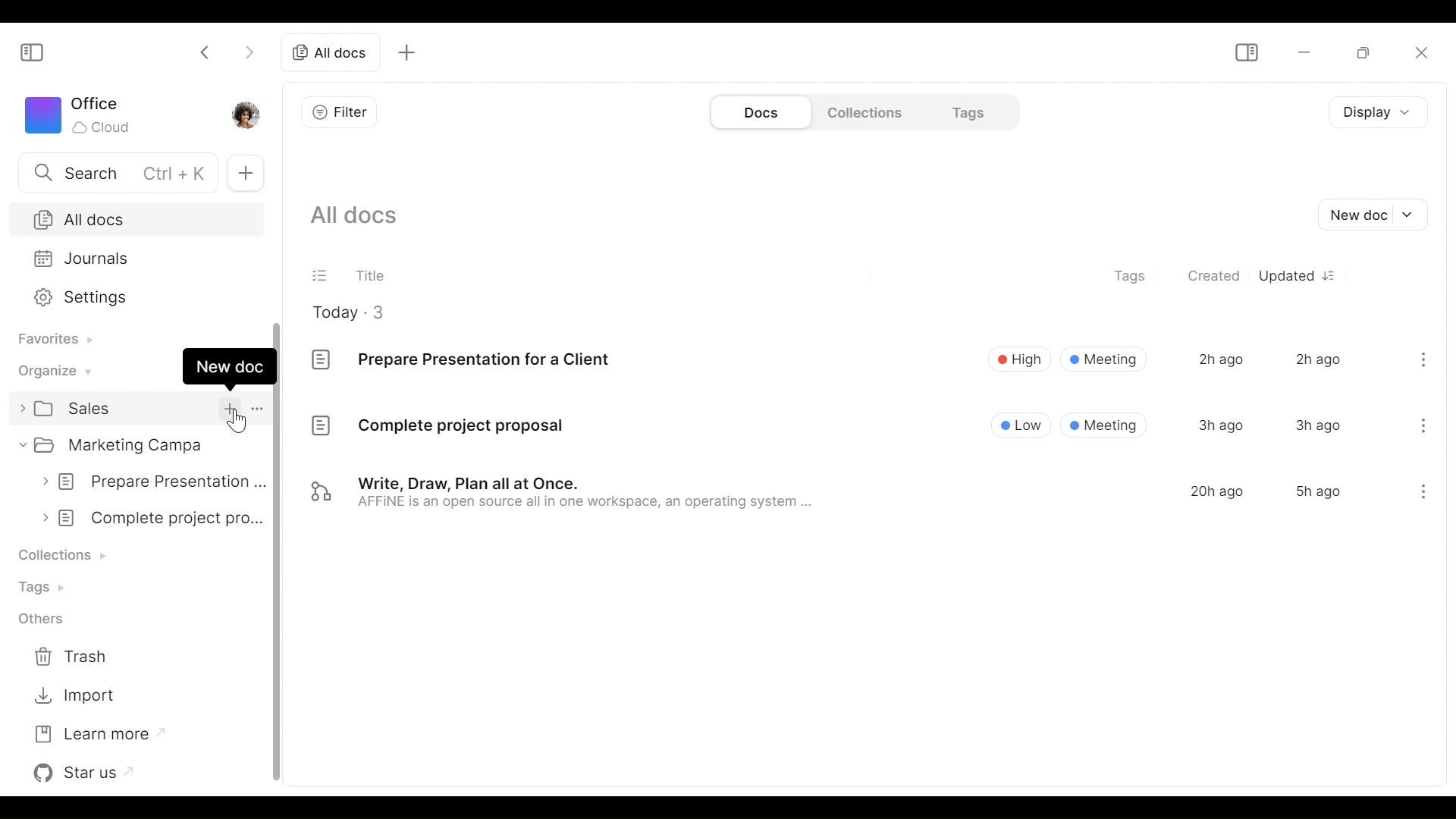 This screenshot has width=1456, height=819. What do you see at coordinates (115, 171) in the screenshot?
I see `Search` at bounding box center [115, 171].